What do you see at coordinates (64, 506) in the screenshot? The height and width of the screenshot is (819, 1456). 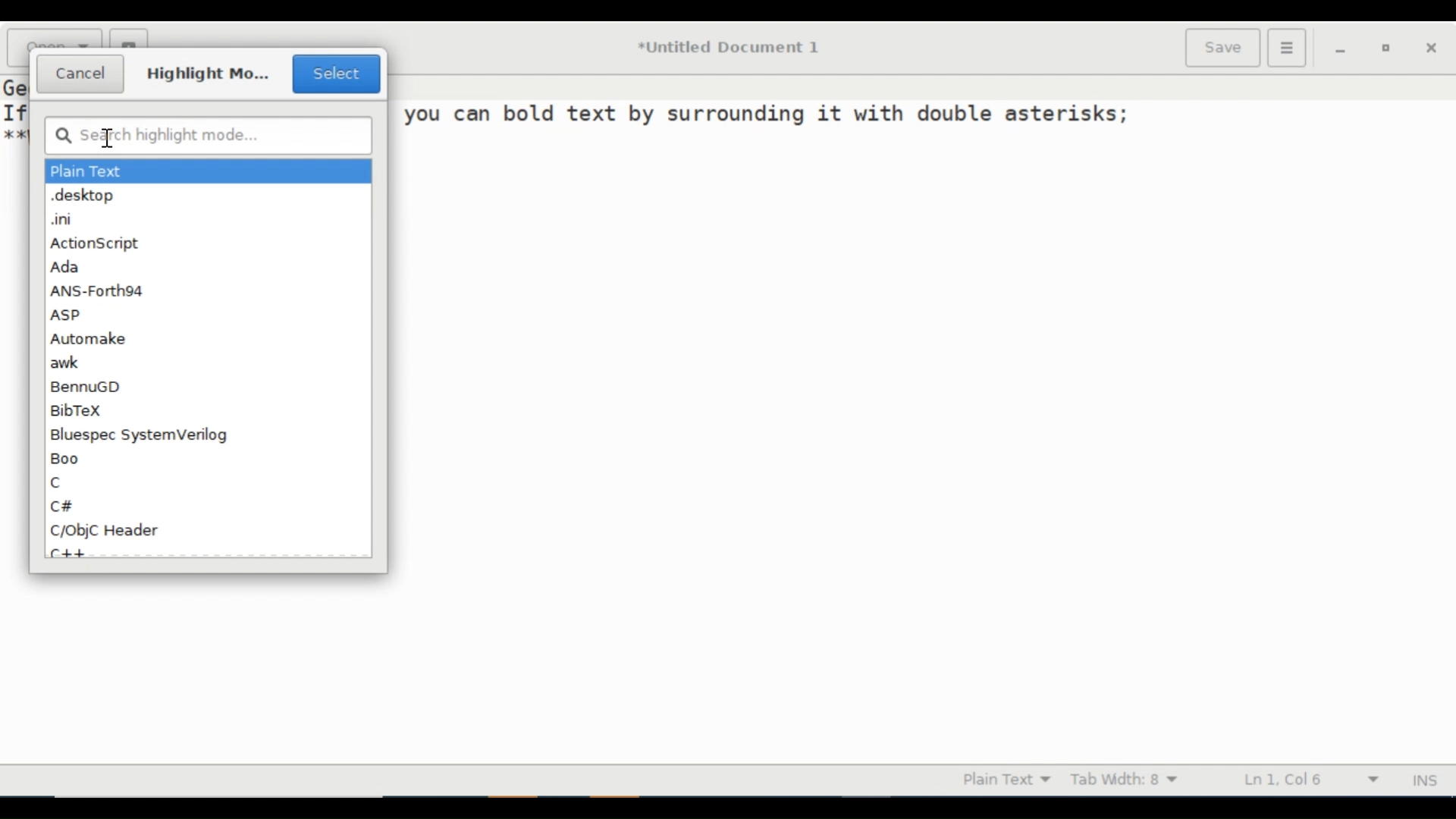 I see `Cc#` at bounding box center [64, 506].